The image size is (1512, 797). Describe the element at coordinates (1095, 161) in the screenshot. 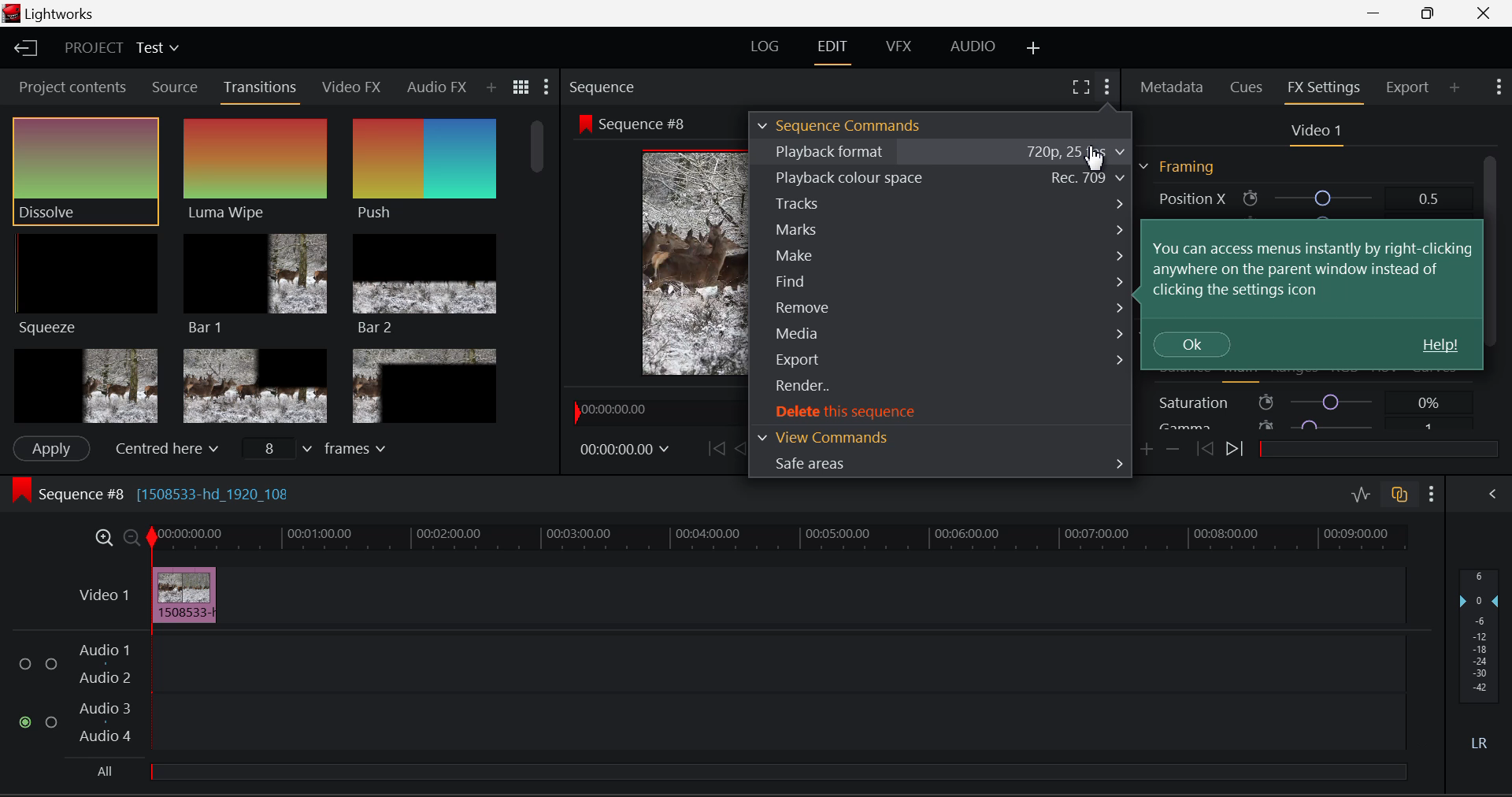

I see `Cursor` at that location.